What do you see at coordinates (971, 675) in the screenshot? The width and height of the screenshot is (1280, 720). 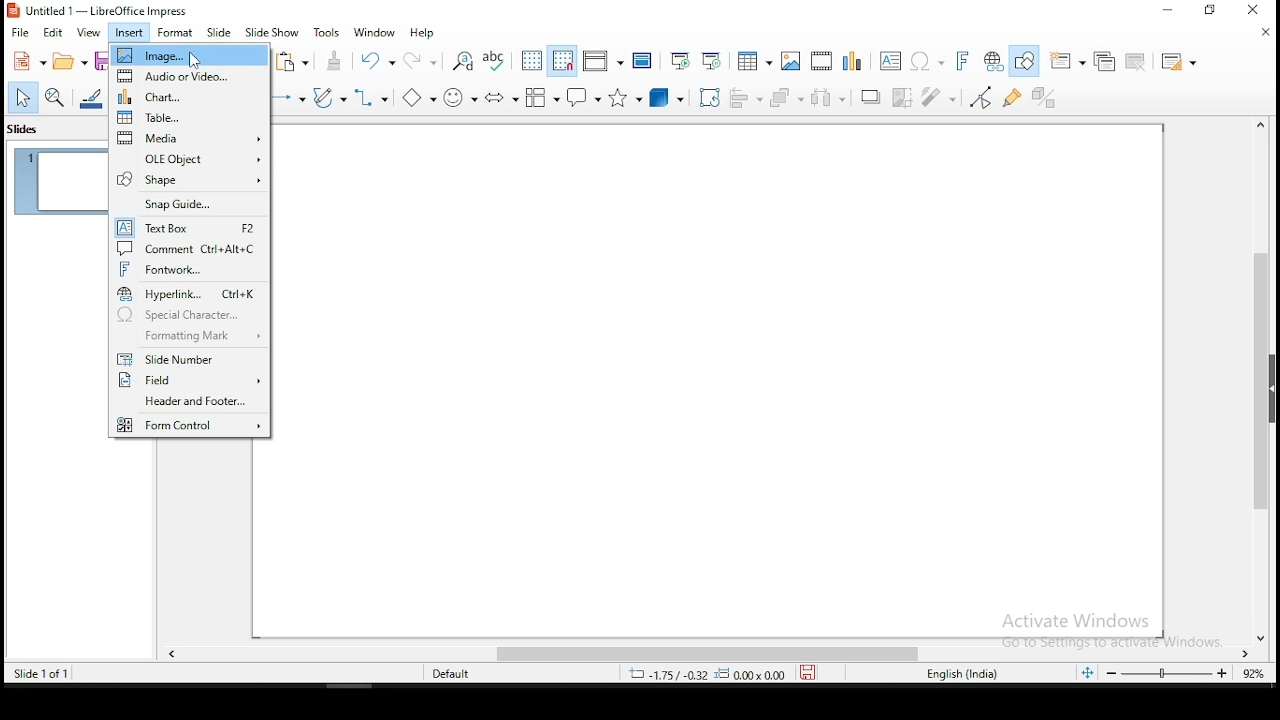 I see `english (india)` at bounding box center [971, 675].